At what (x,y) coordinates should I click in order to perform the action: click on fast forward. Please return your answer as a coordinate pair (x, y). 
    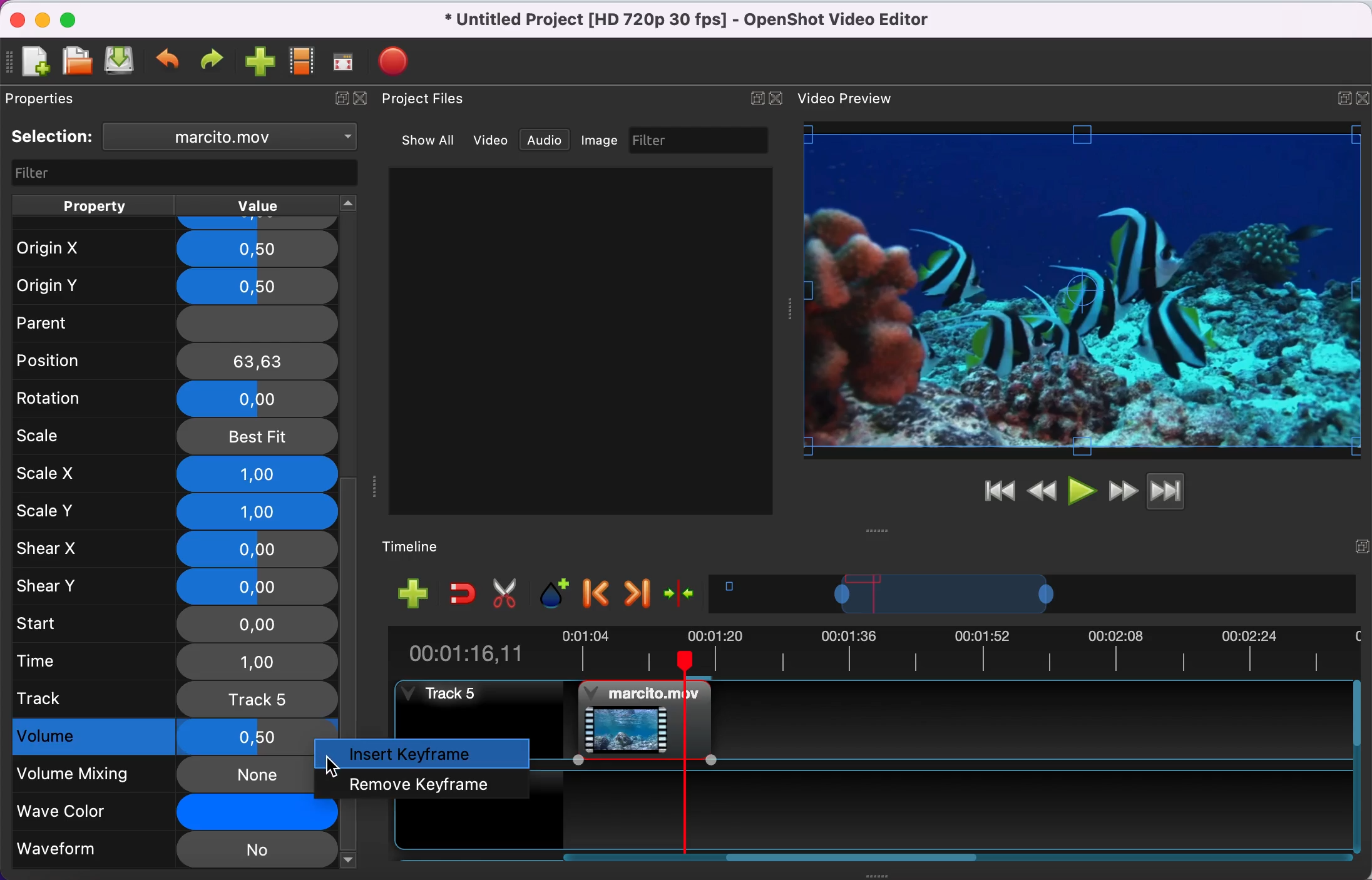
    Looking at the image, I should click on (1122, 489).